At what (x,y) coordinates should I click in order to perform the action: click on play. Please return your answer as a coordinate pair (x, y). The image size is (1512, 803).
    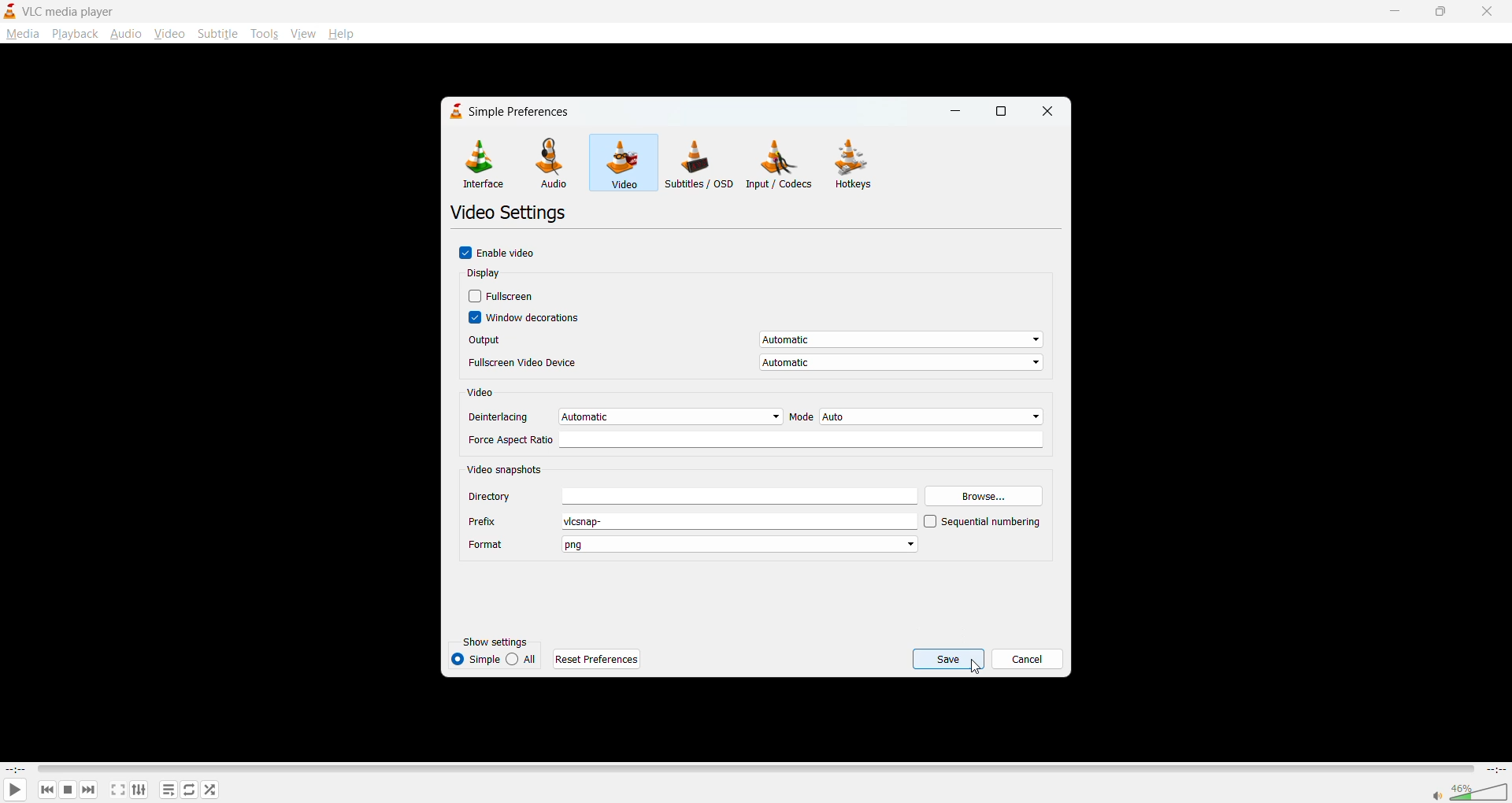
    Looking at the image, I should click on (13, 789).